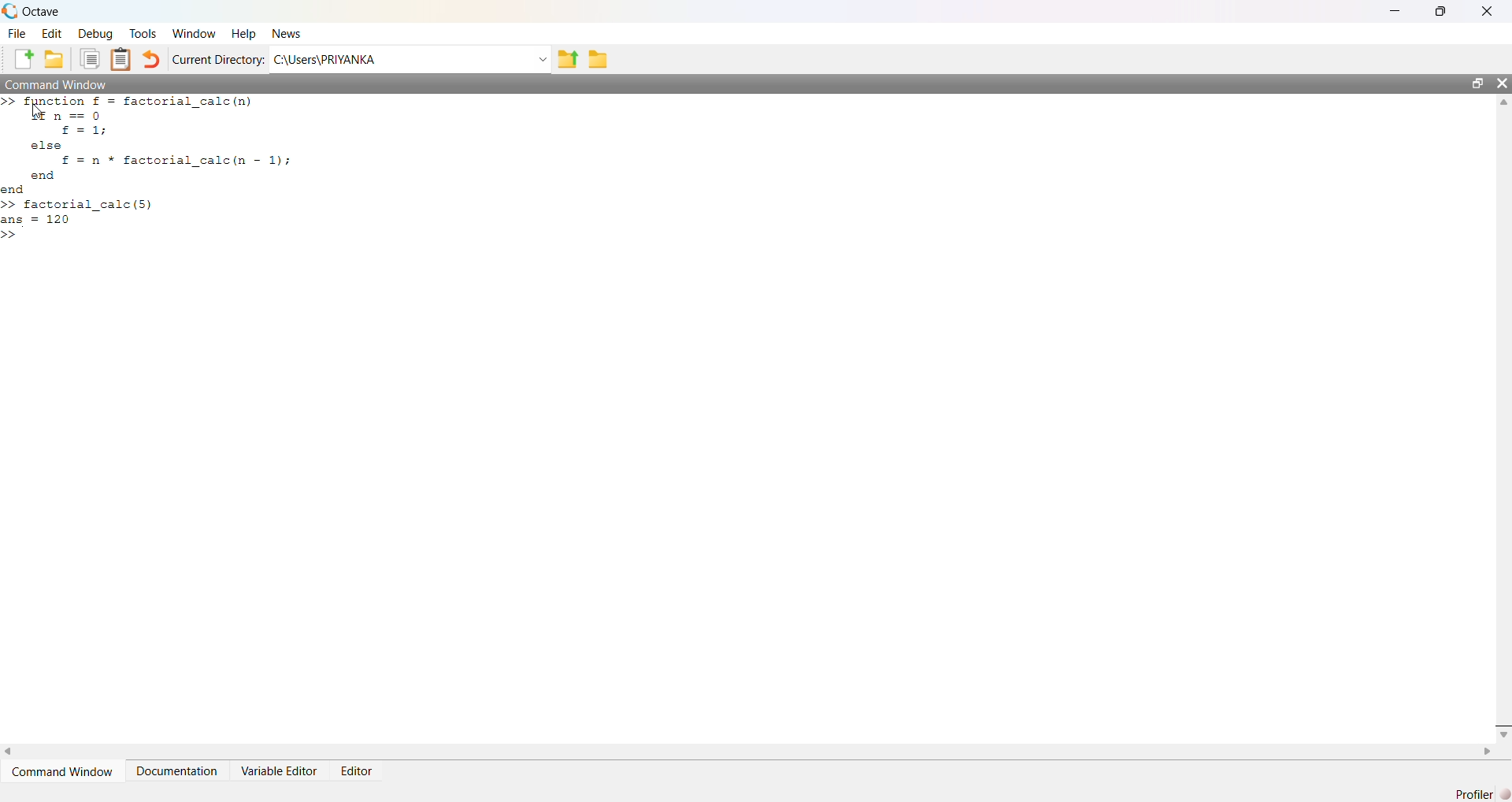 This screenshot has width=1512, height=802. What do you see at coordinates (90, 58) in the screenshot?
I see `copy` at bounding box center [90, 58].